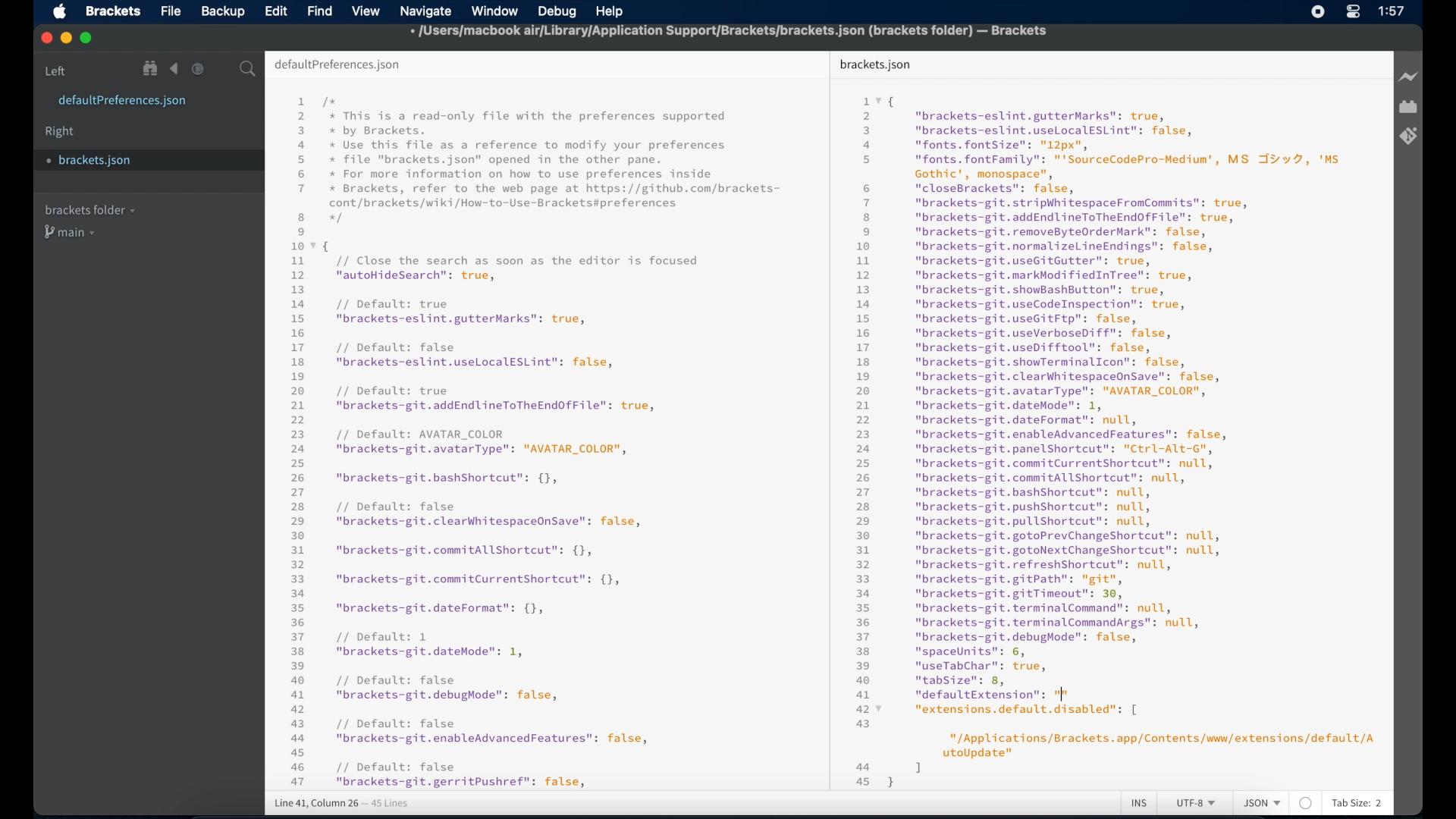 Image resolution: width=1456 pixels, height=819 pixels. I want to click on json, so click(1262, 804).